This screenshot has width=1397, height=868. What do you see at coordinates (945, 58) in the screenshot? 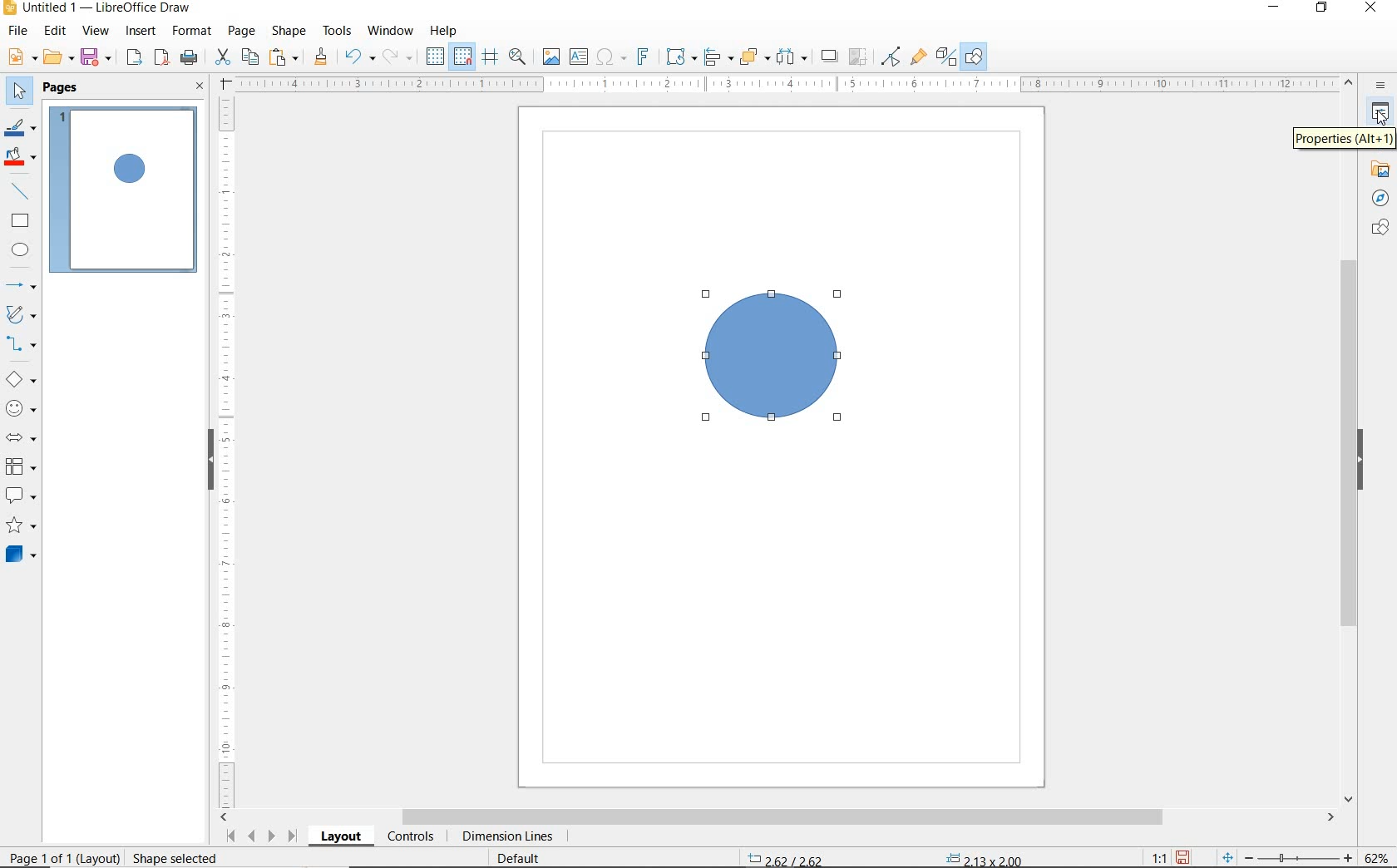
I see `TOGGLE EXTRUSION` at bounding box center [945, 58].